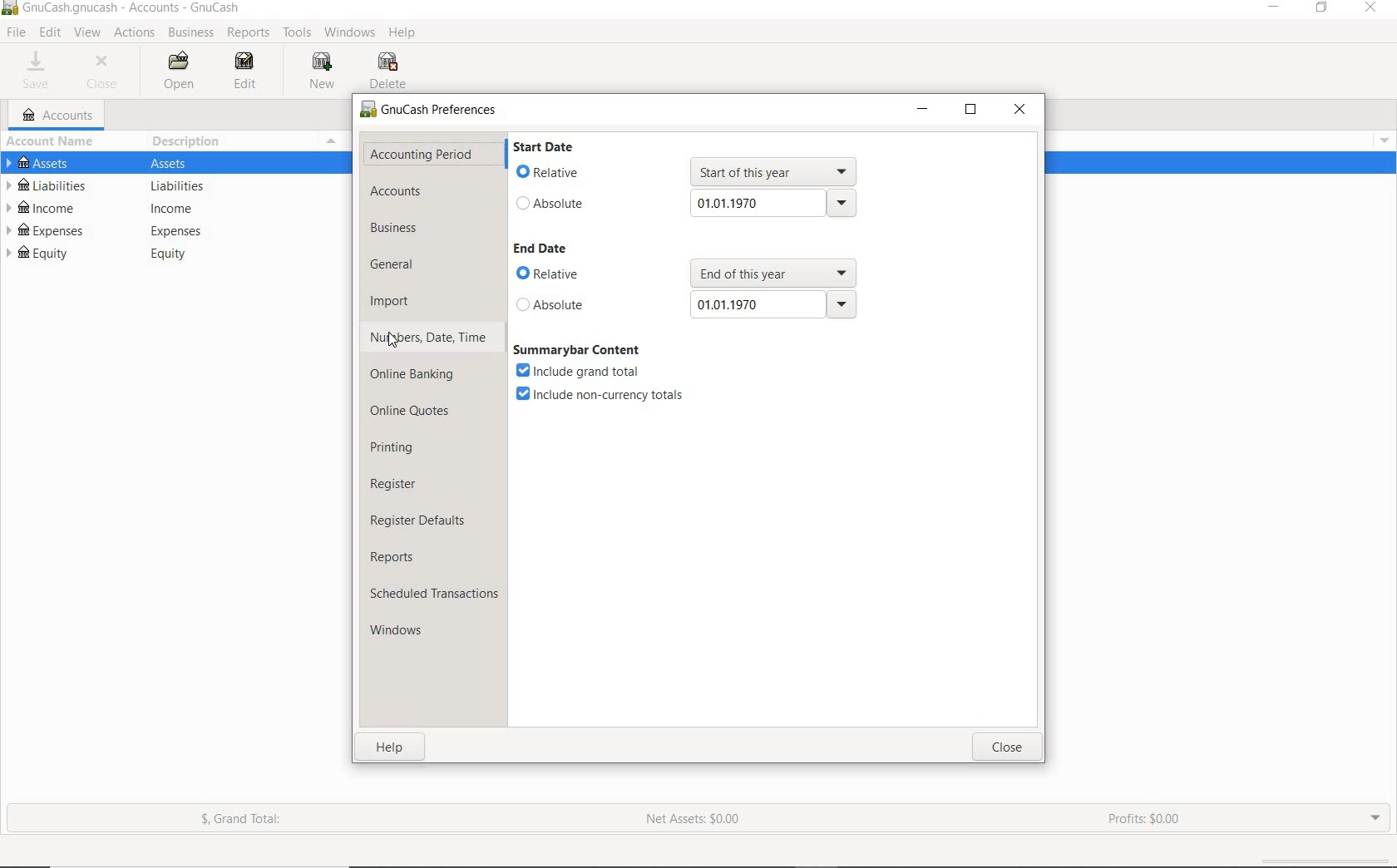 This screenshot has width=1397, height=868. Describe the element at coordinates (176, 71) in the screenshot. I see `OPEN` at that location.